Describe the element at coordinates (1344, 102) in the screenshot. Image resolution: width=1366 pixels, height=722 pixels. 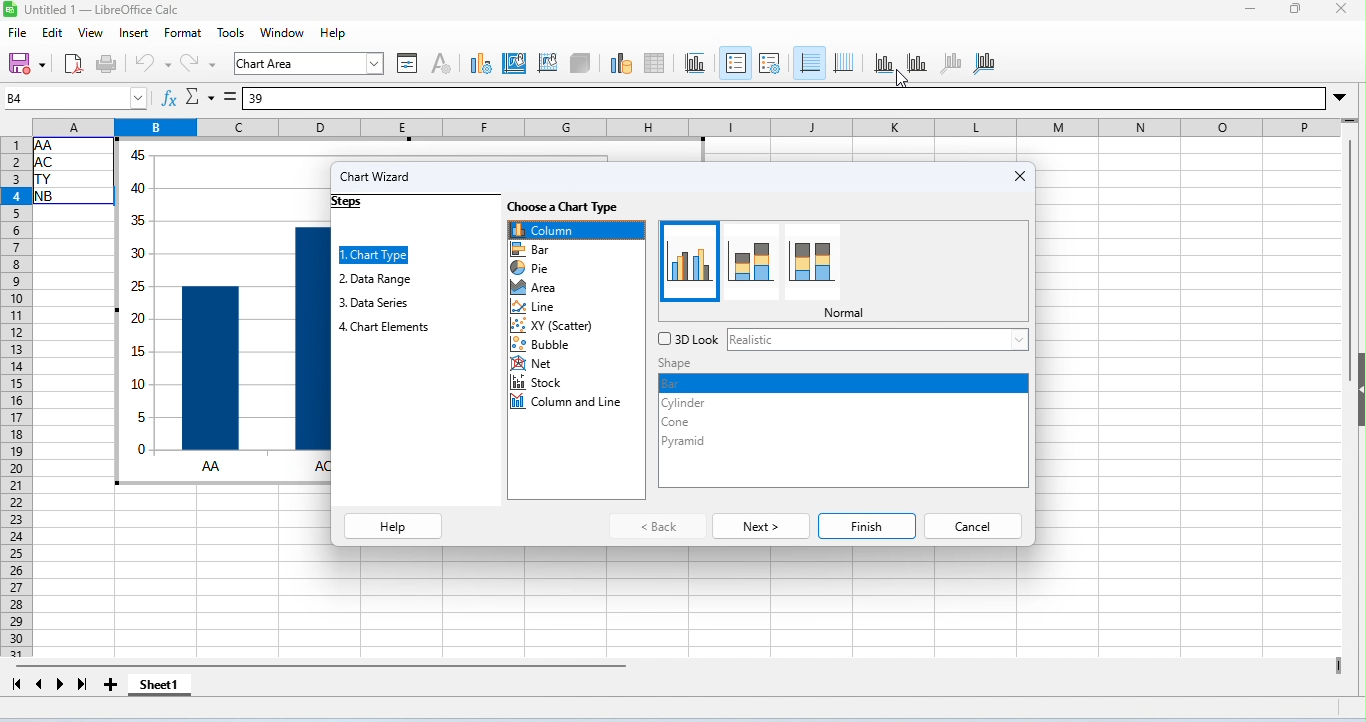
I see `drop down` at that location.